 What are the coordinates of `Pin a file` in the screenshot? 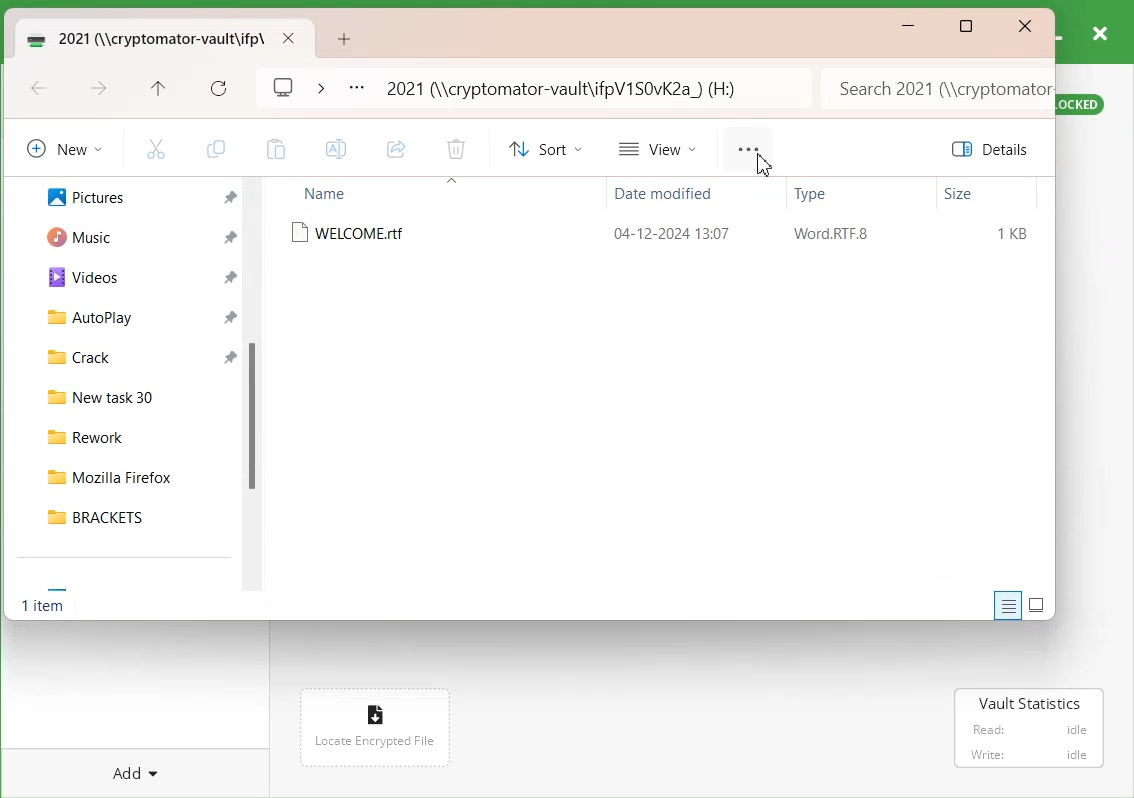 It's located at (228, 197).